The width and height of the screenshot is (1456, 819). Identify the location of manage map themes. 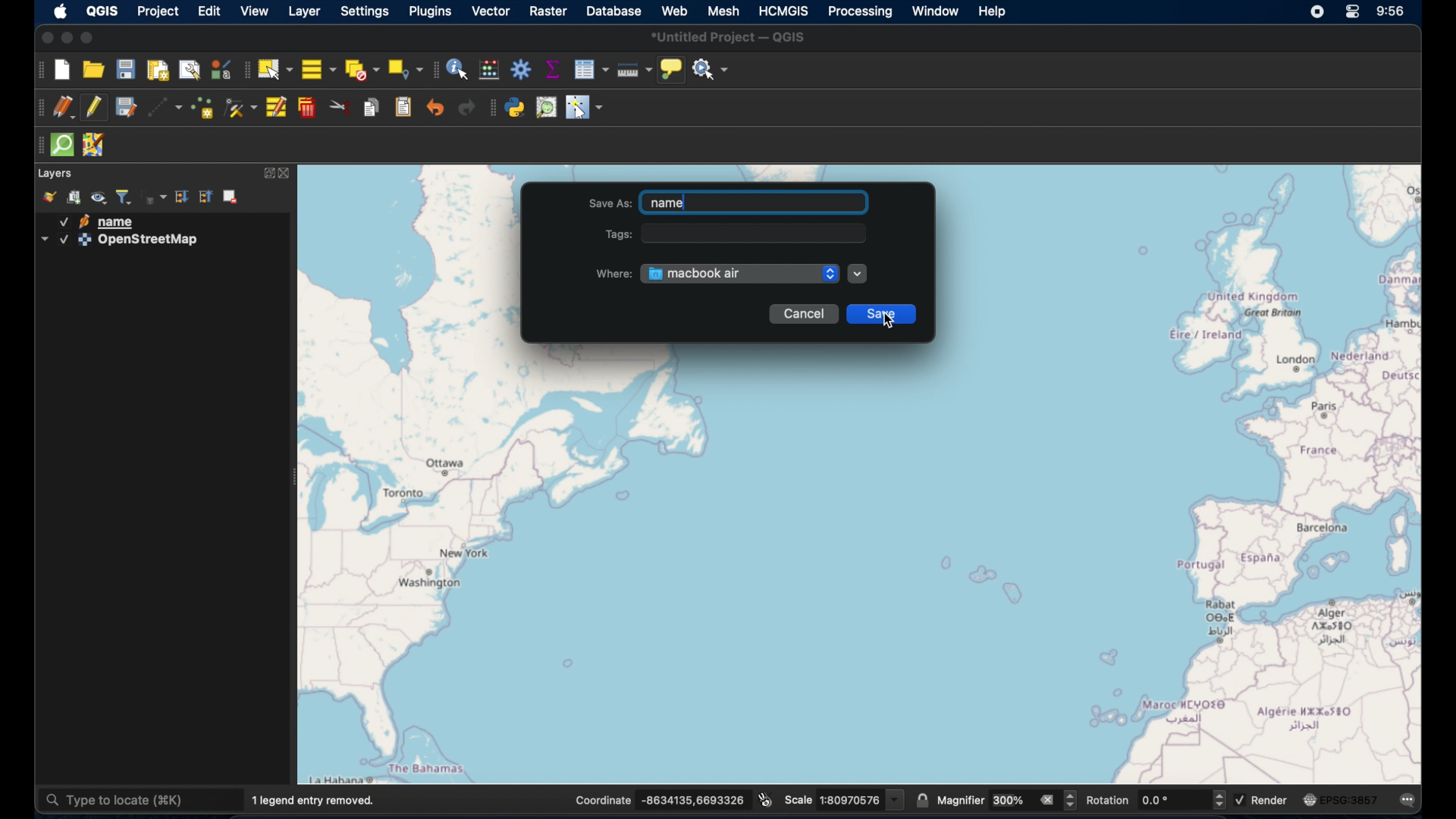
(99, 198).